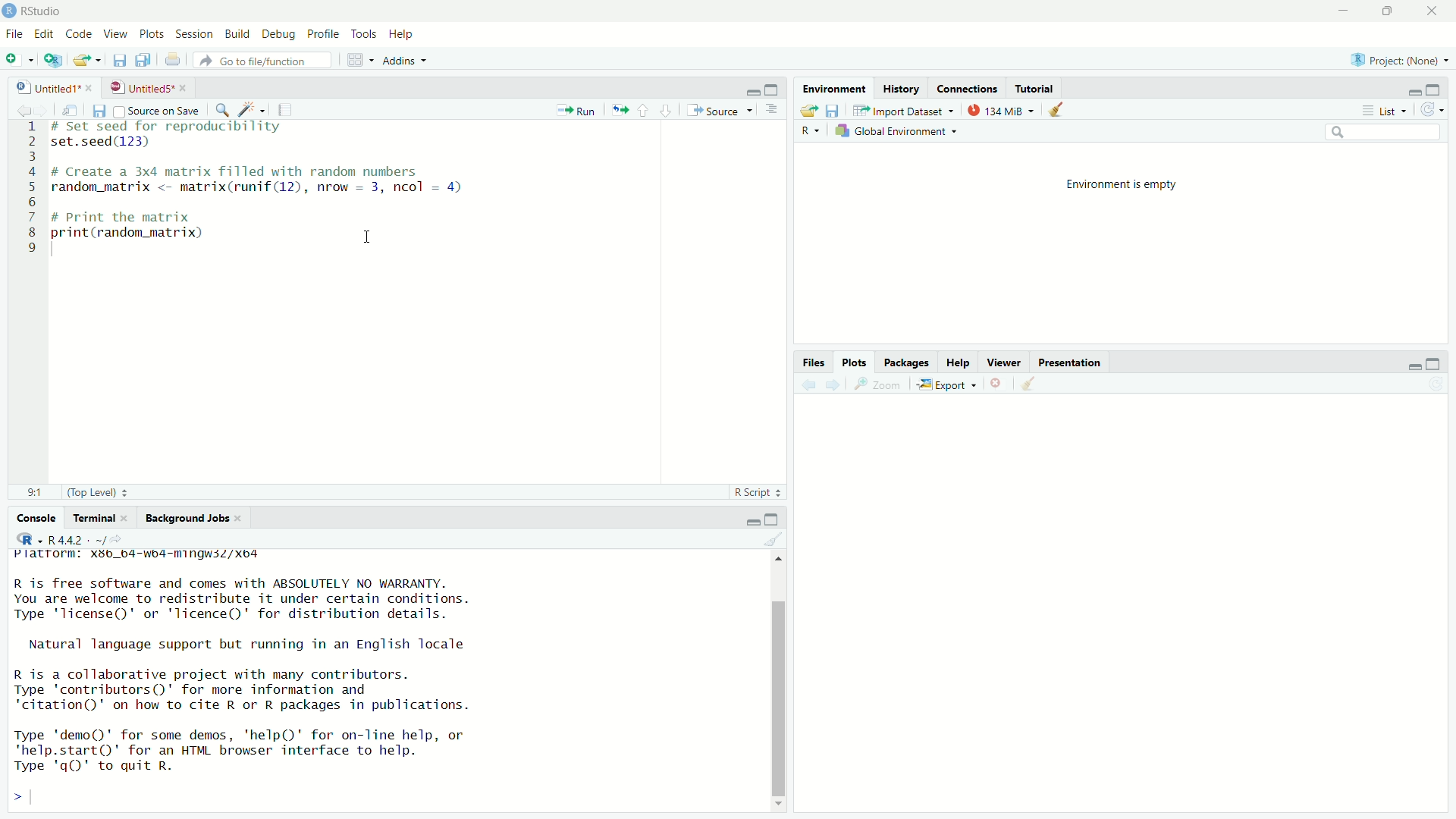 This screenshot has width=1456, height=819. What do you see at coordinates (748, 519) in the screenshot?
I see `minimise` at bounding box center [748, 519].